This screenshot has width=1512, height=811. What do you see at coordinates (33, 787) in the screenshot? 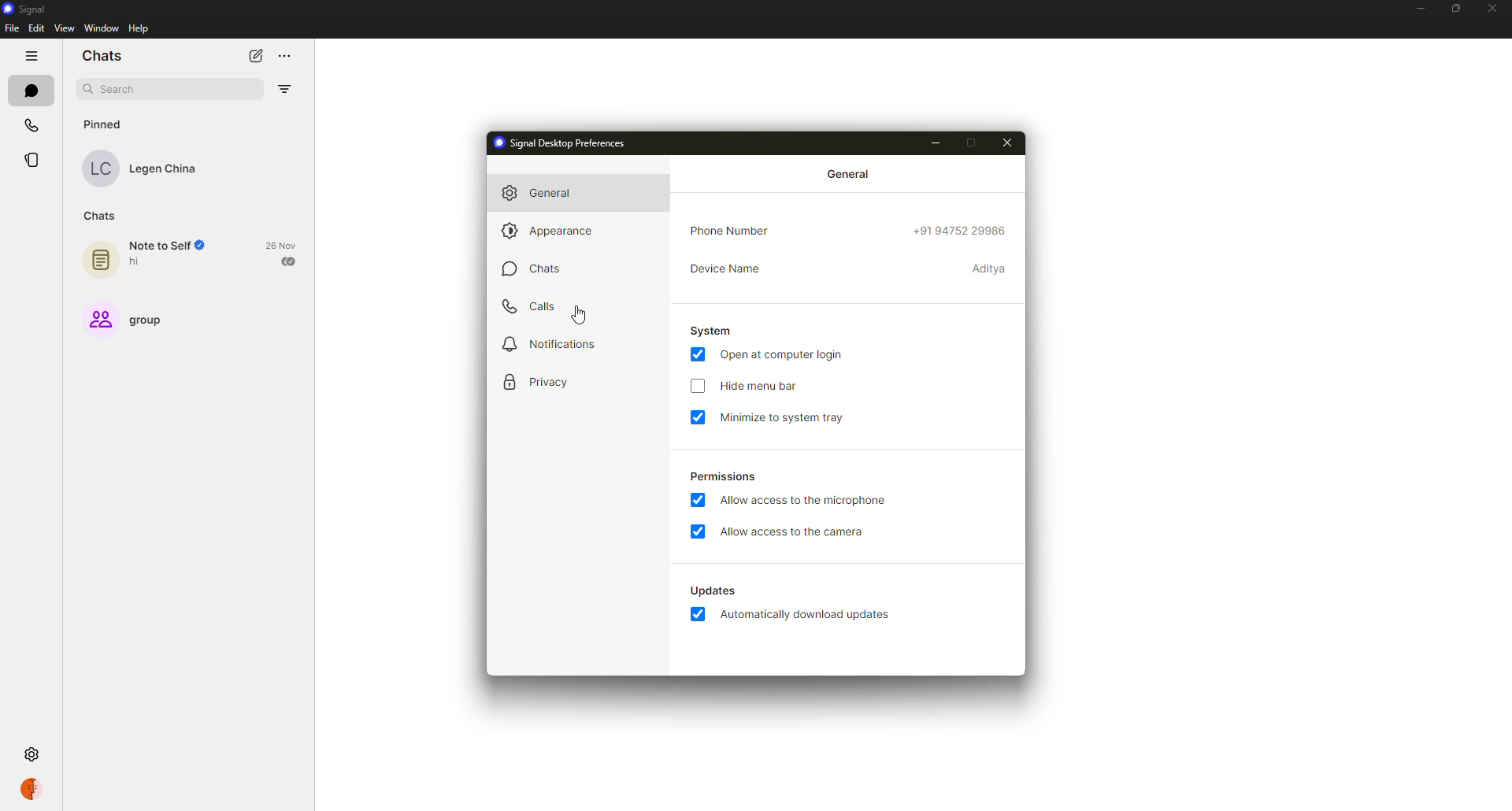
I see `profile` at bounding box center [33, 787].